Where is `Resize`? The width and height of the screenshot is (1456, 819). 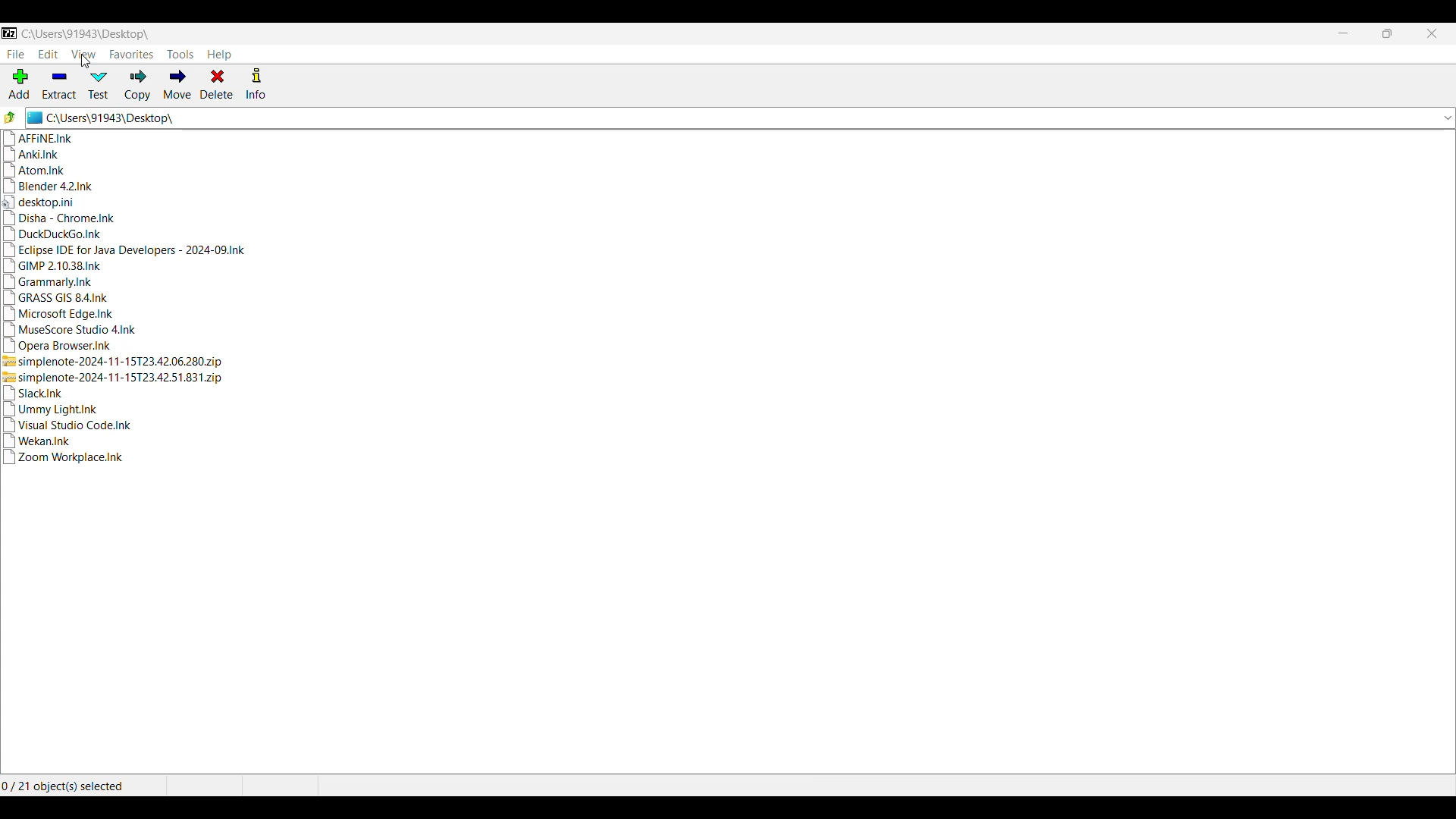 Resize is located at coordinates (1388, 33).